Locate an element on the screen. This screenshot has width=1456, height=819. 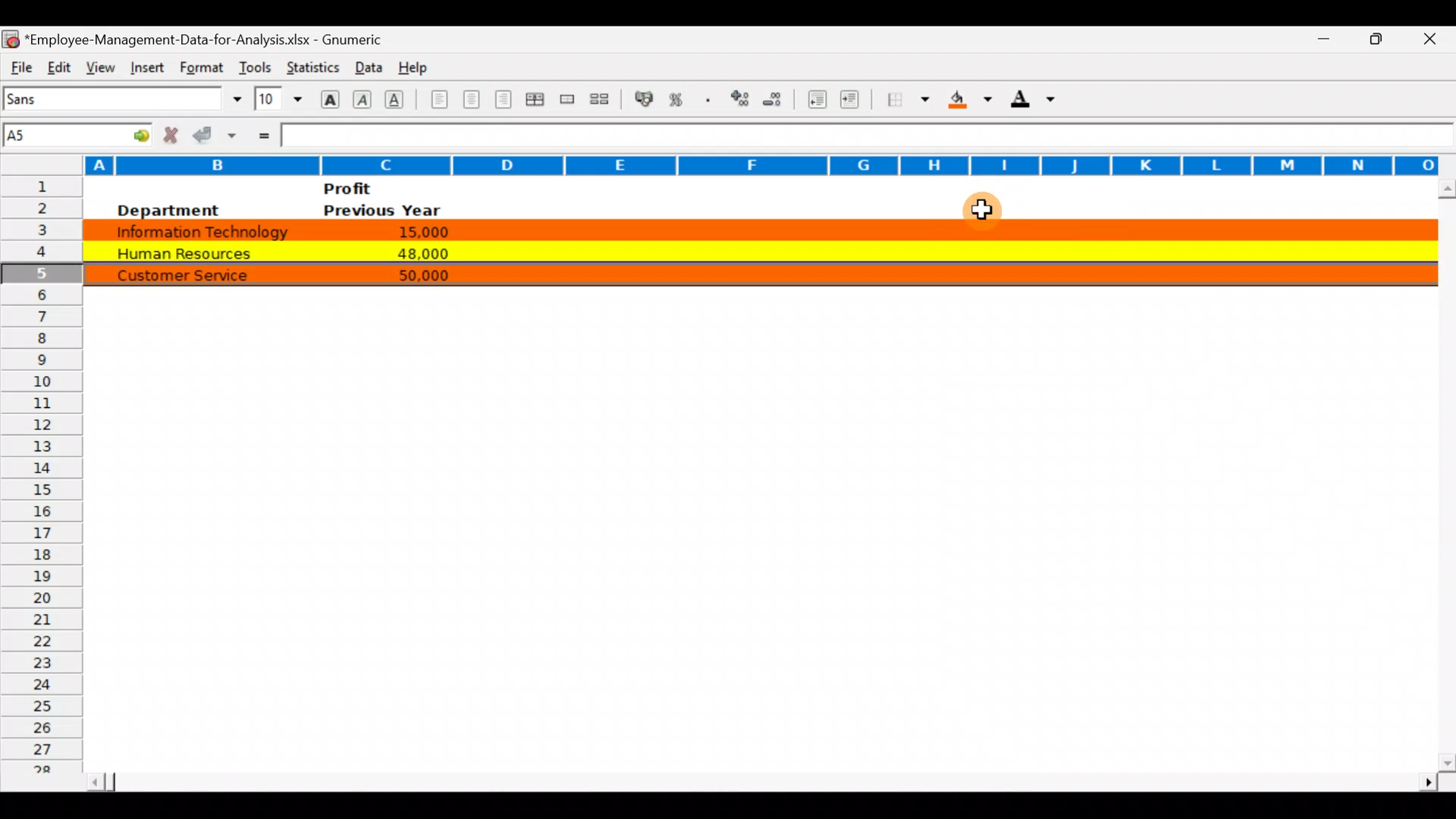
Data is located at coordinates (365, 64).